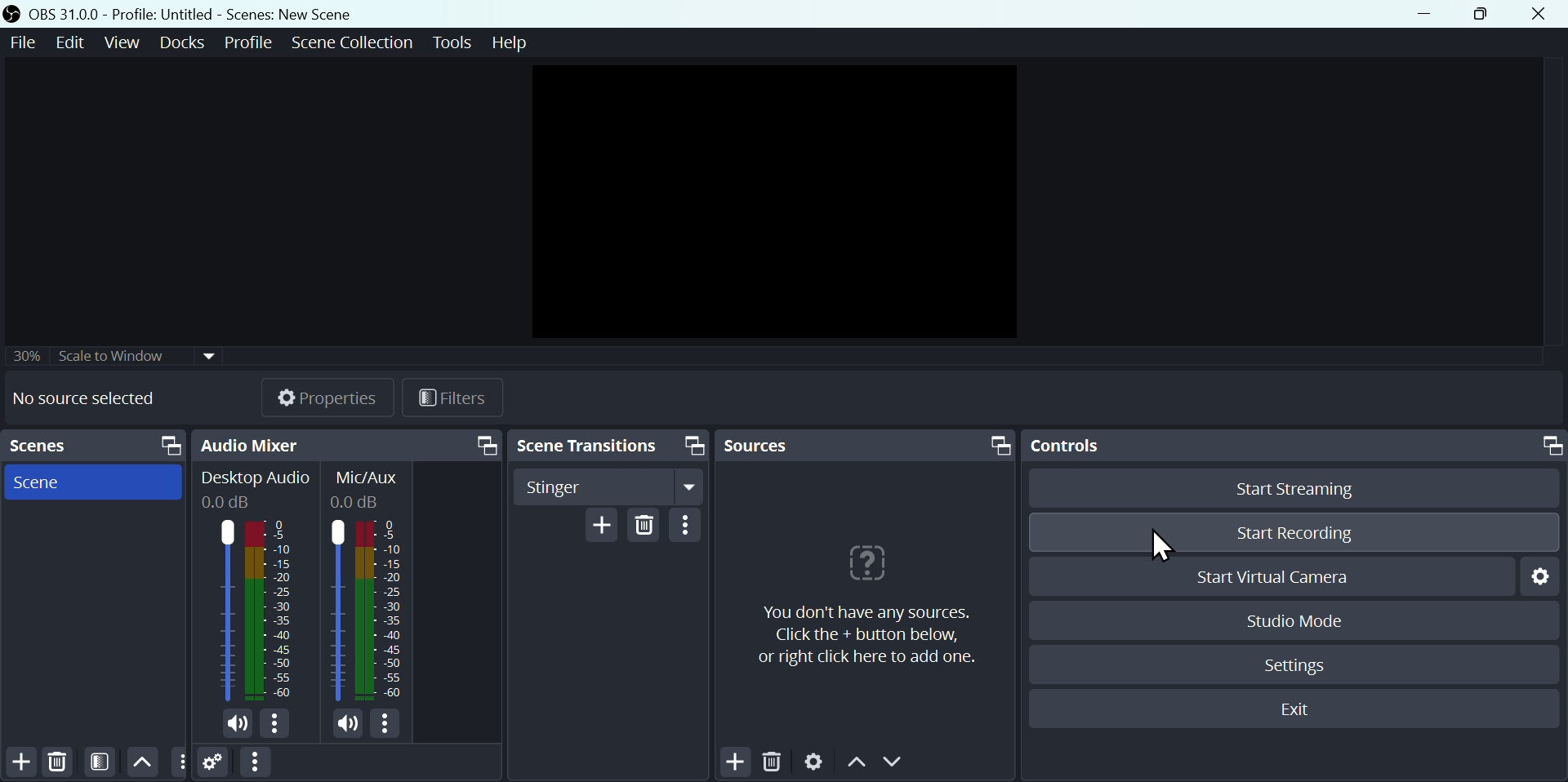 The width and height of the screenshot is (1568, 782). What do you see at coordinates (253, 442) in the screenshot?
I see `Audio mixer` at bounding box center [253, 442].